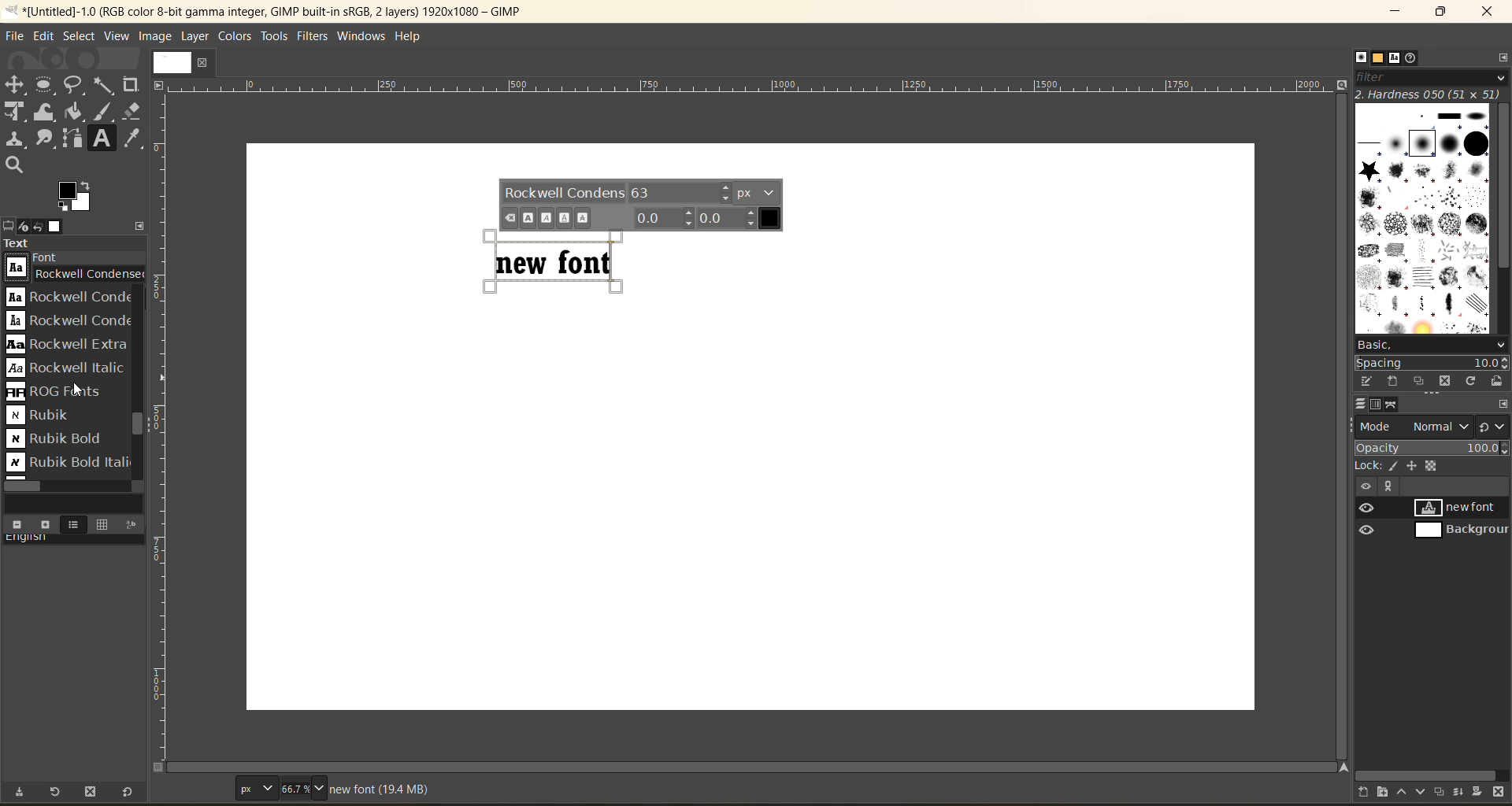  Describe the element at coordinates (143, 225) in the screenshot. I see `configure` at that location.